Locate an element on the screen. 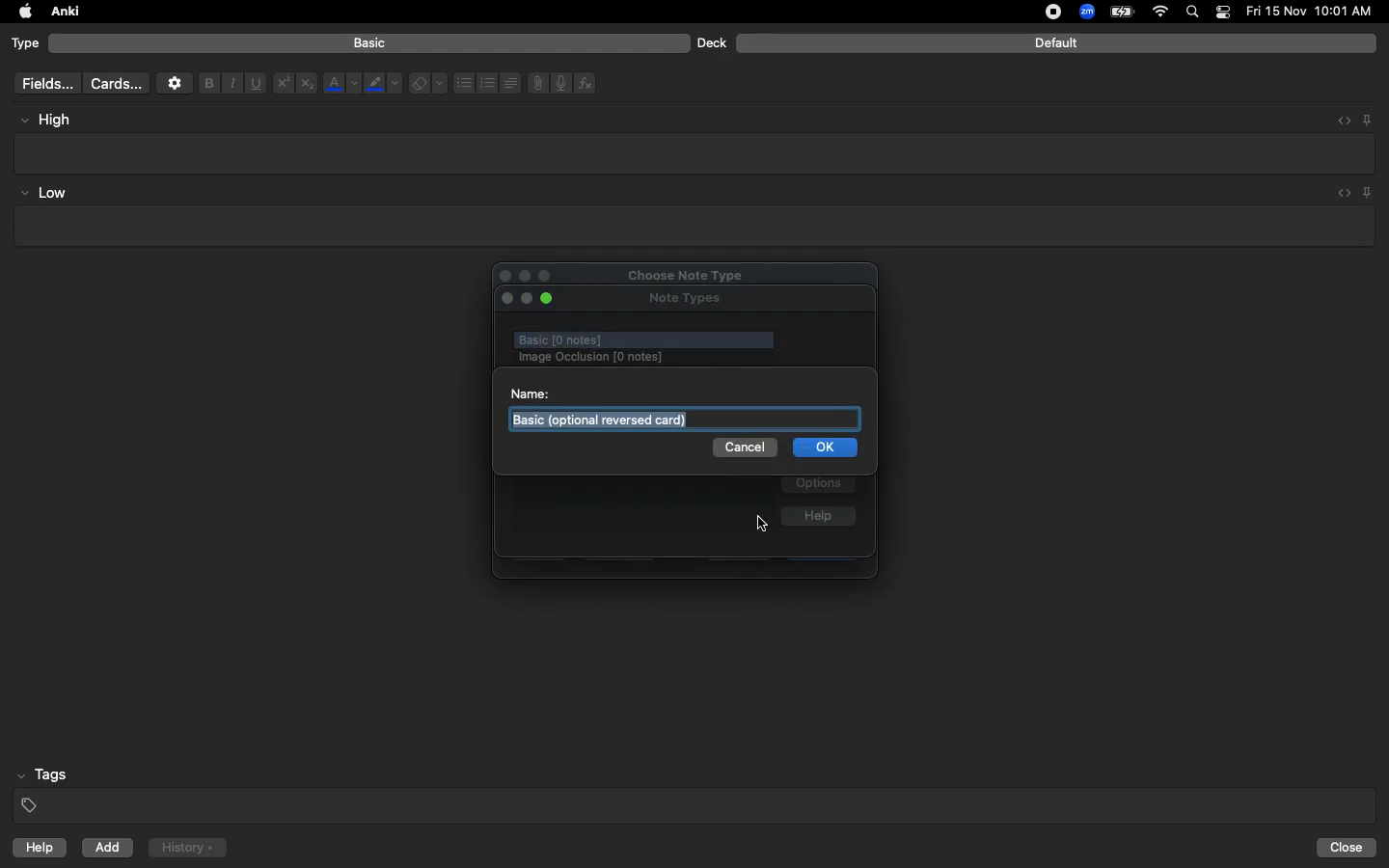  Deck is located at coordinates (711, 42).